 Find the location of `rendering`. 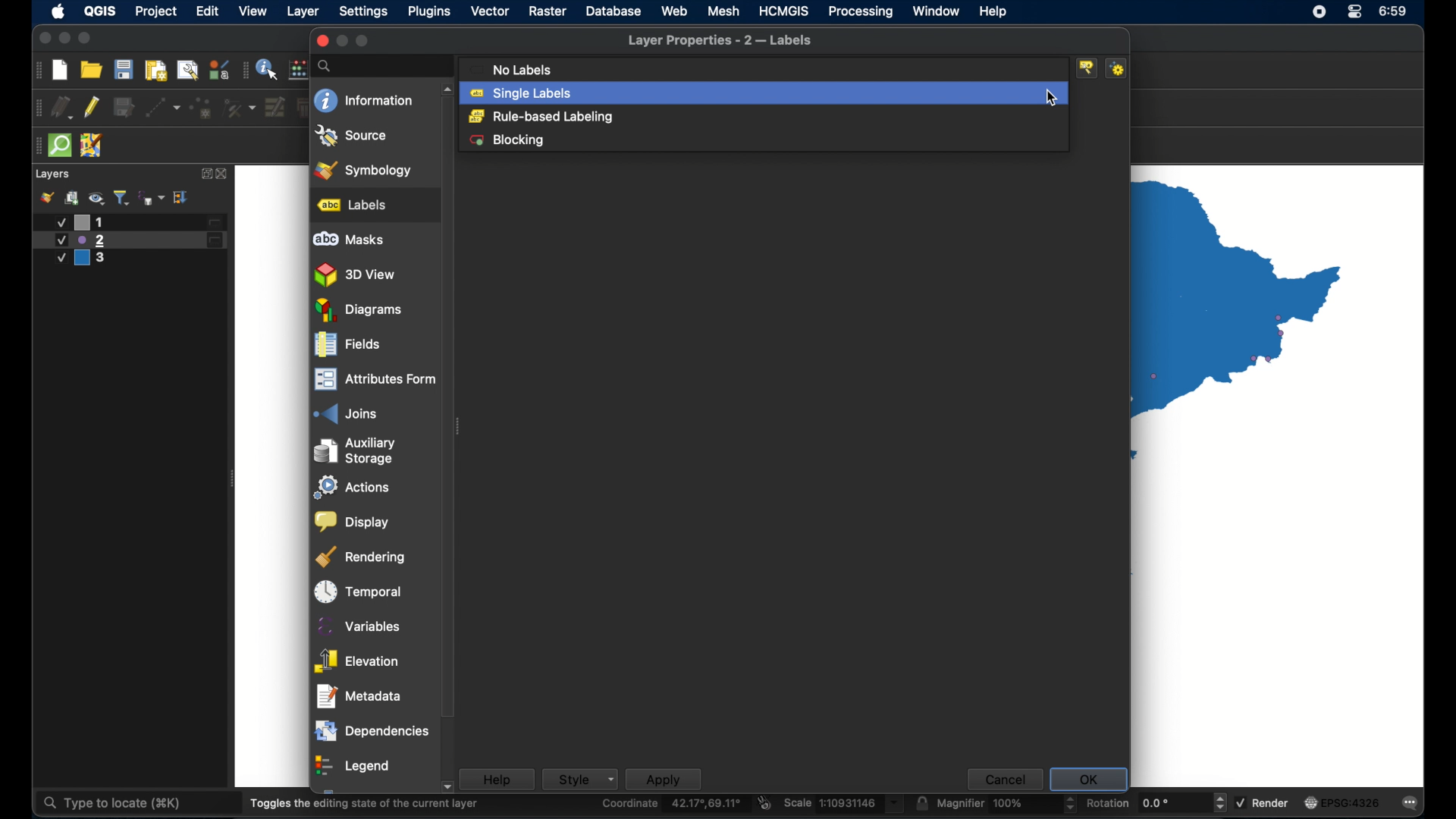

rendering is located at coordinates (361, 557).